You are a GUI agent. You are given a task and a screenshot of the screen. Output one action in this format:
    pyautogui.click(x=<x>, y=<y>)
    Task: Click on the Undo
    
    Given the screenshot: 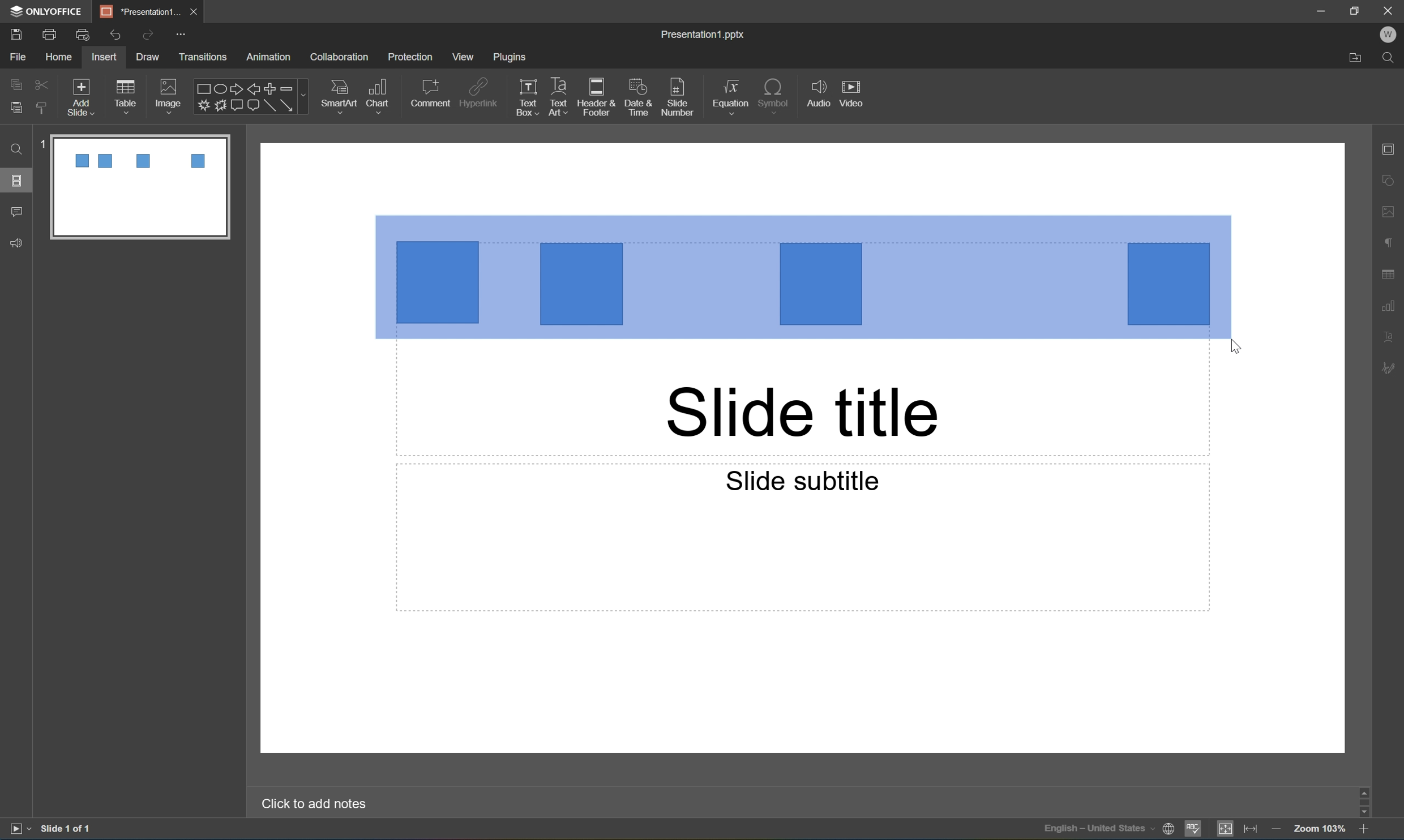 What is the action you would take?
    pyautogui.click(x=115, y=33)
    